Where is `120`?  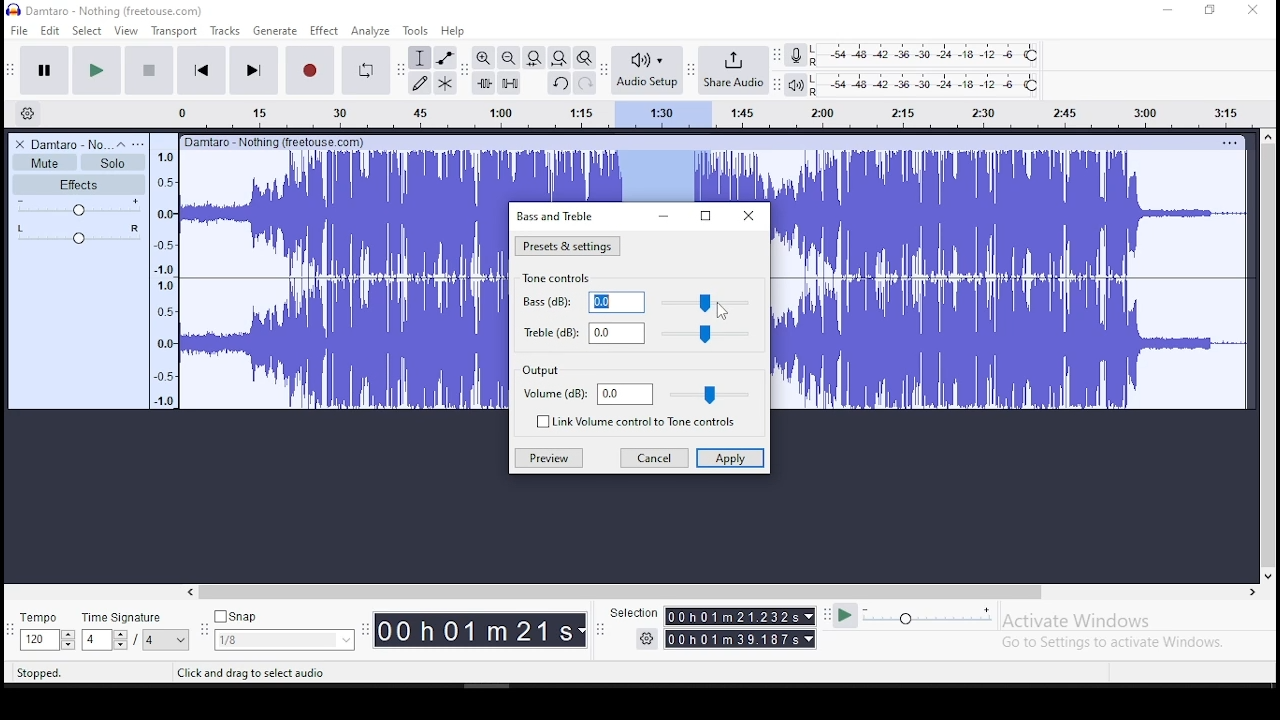 120 is located at coordinates (38, 641).